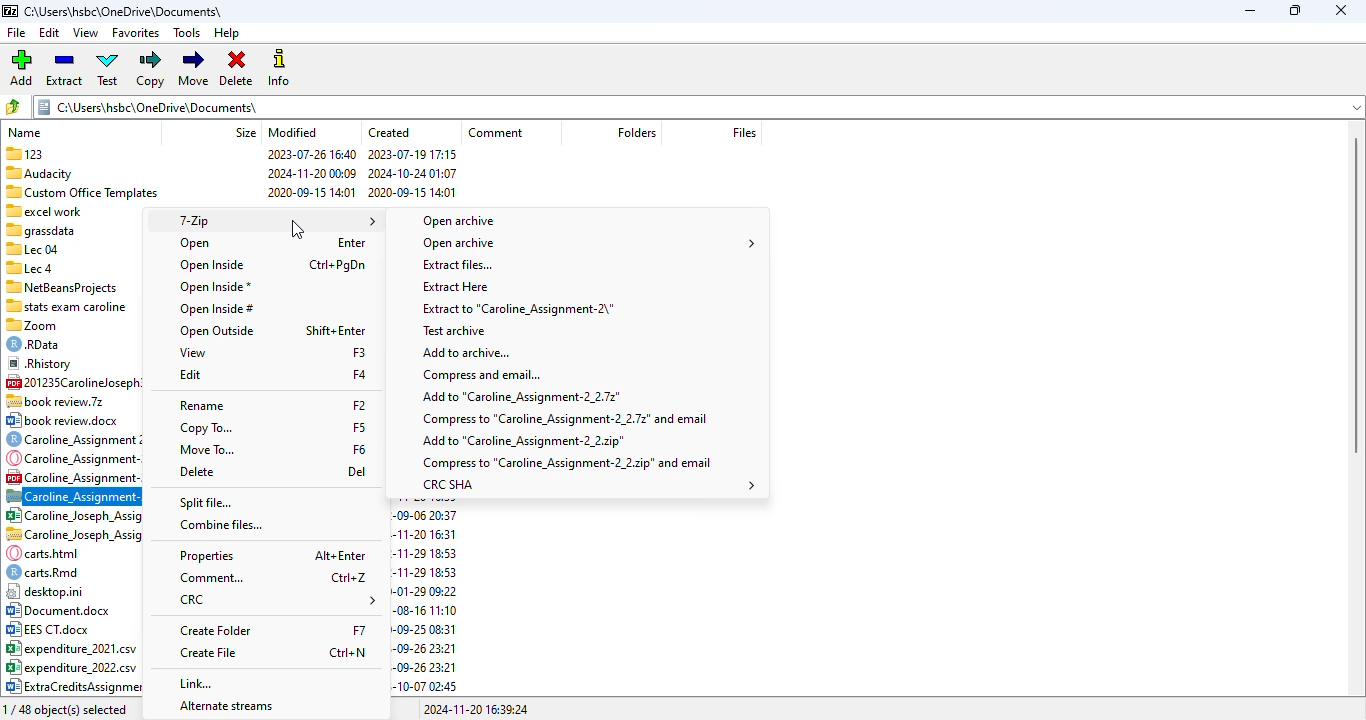 The image size is (1366, 720). I want to click on add to archive, so click(466, 353).